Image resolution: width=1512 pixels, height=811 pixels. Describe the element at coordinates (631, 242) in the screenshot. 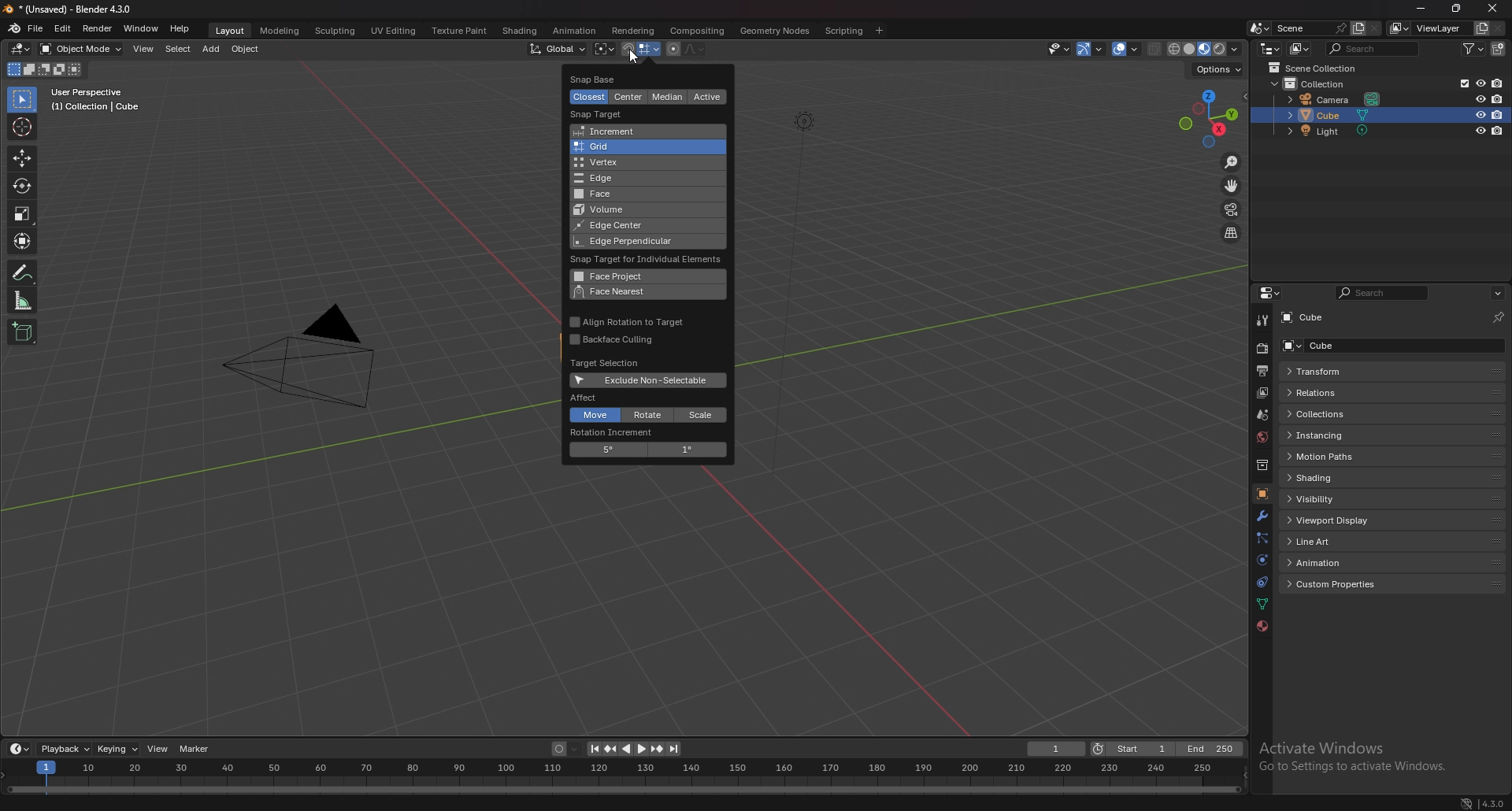

I see `edge perpendicular` at that location.